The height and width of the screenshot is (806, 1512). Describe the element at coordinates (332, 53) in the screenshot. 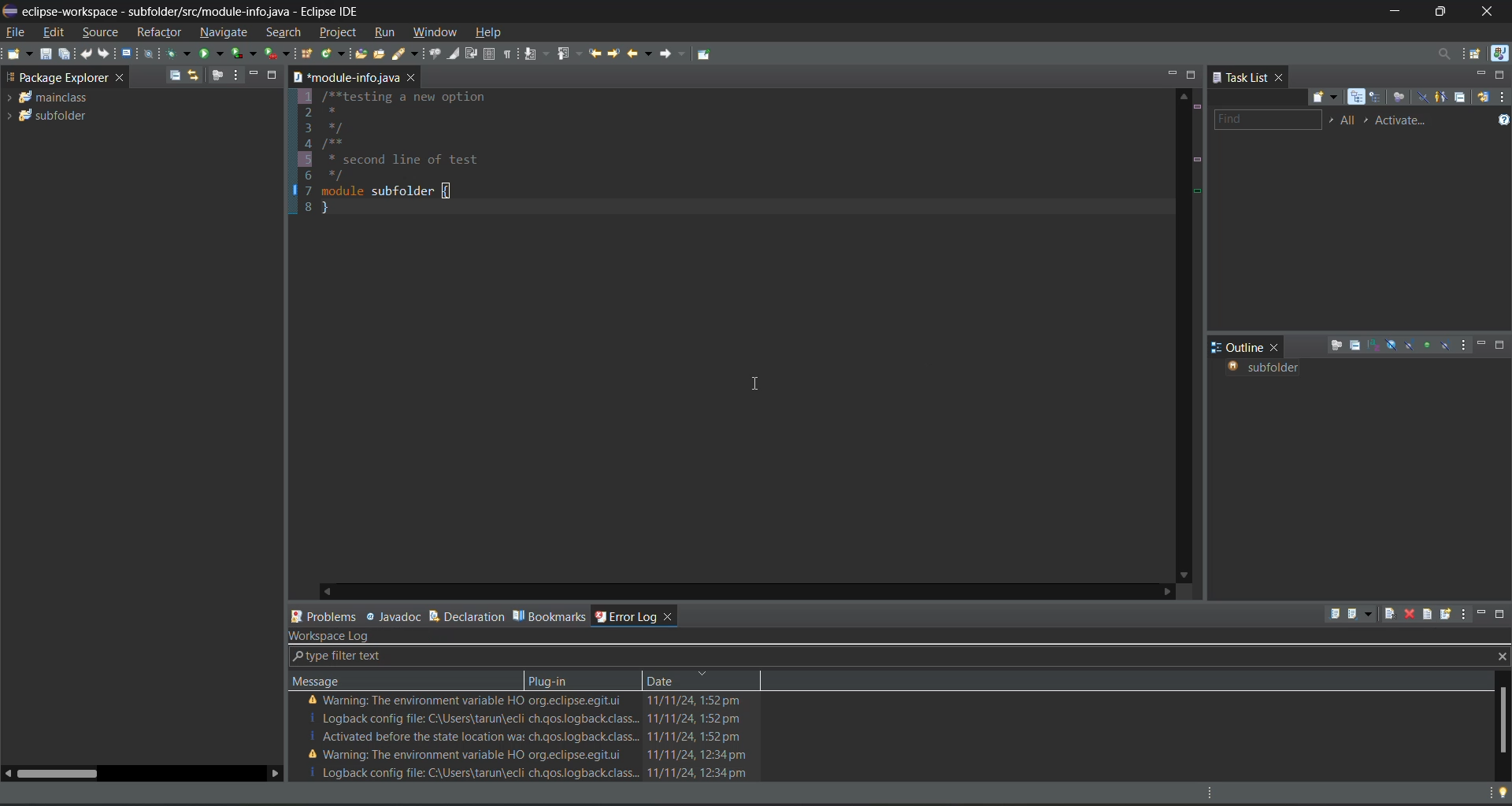

I see `new java class` at that location.